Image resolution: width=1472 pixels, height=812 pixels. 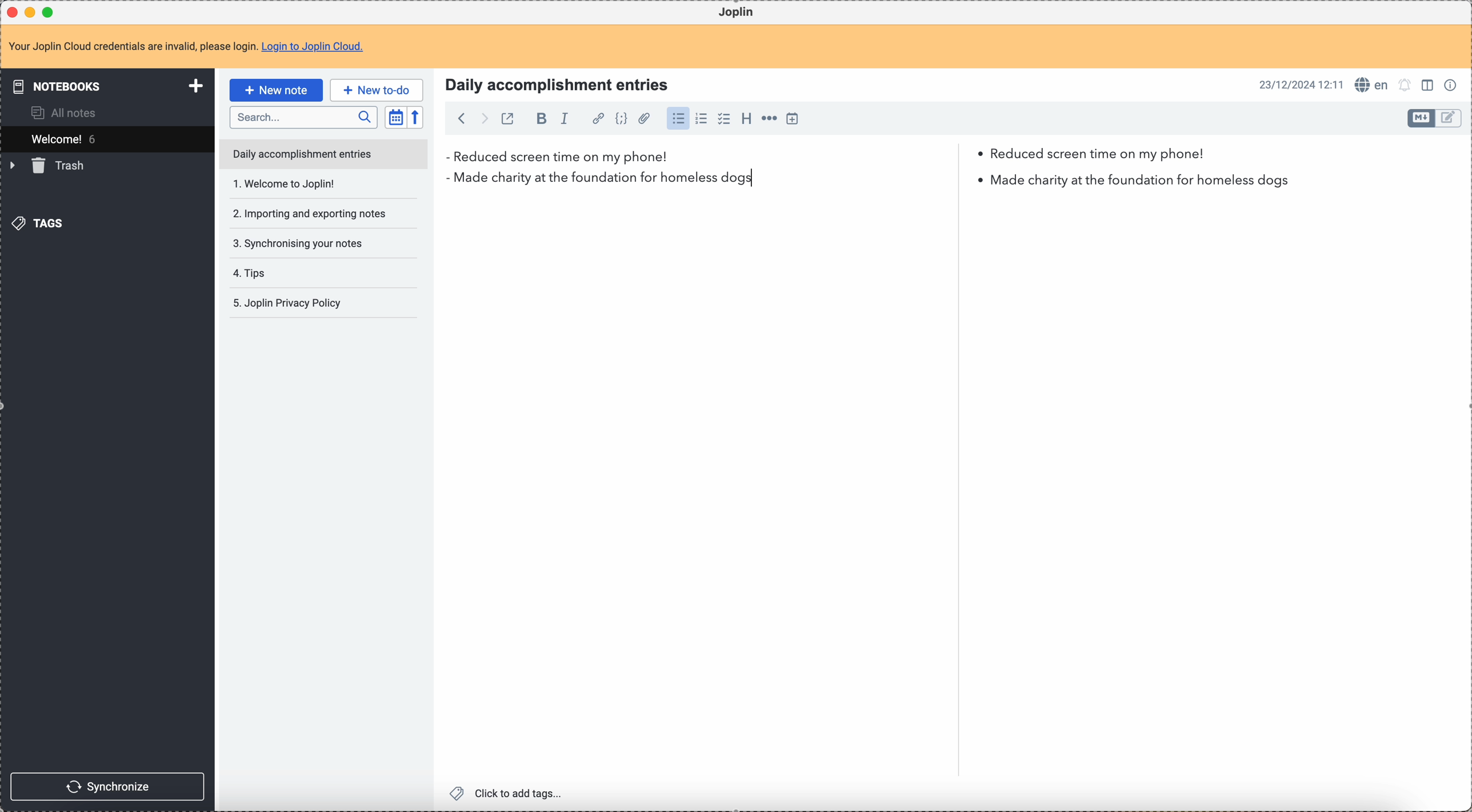 I want to click on synchronising your notes, so click(x=303, y=214).